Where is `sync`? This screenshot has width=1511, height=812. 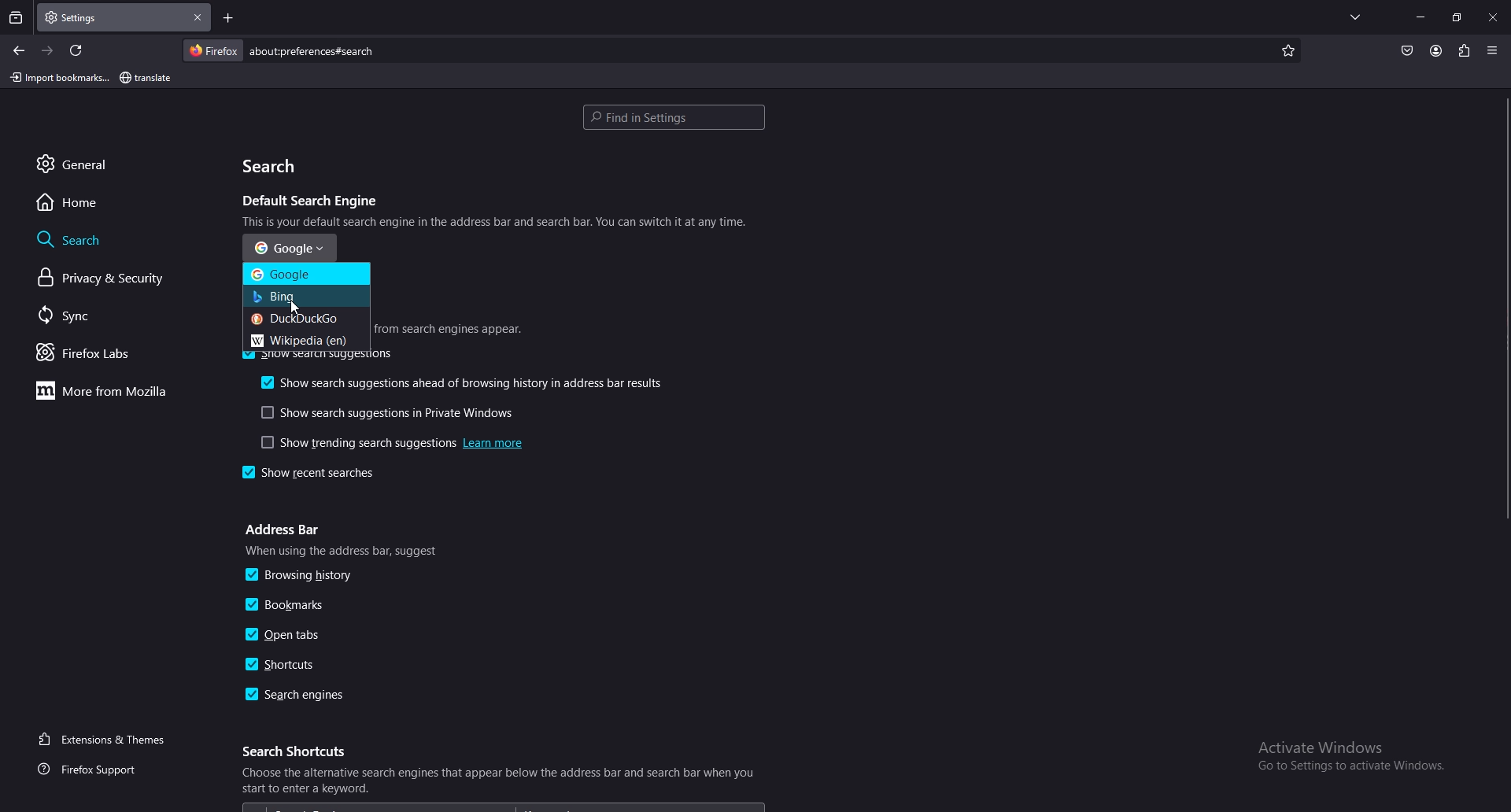
sync is located at coordinates (109, 317).